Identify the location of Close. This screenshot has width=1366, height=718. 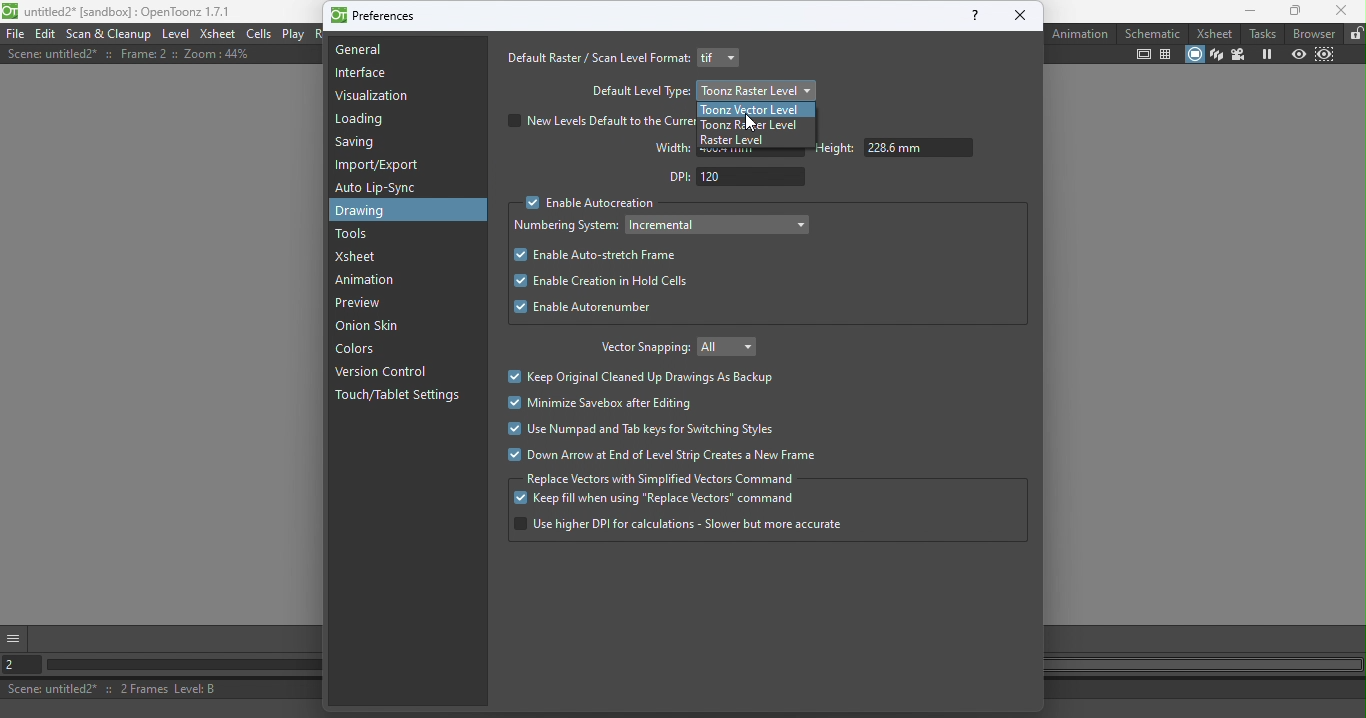
(1341, 11).